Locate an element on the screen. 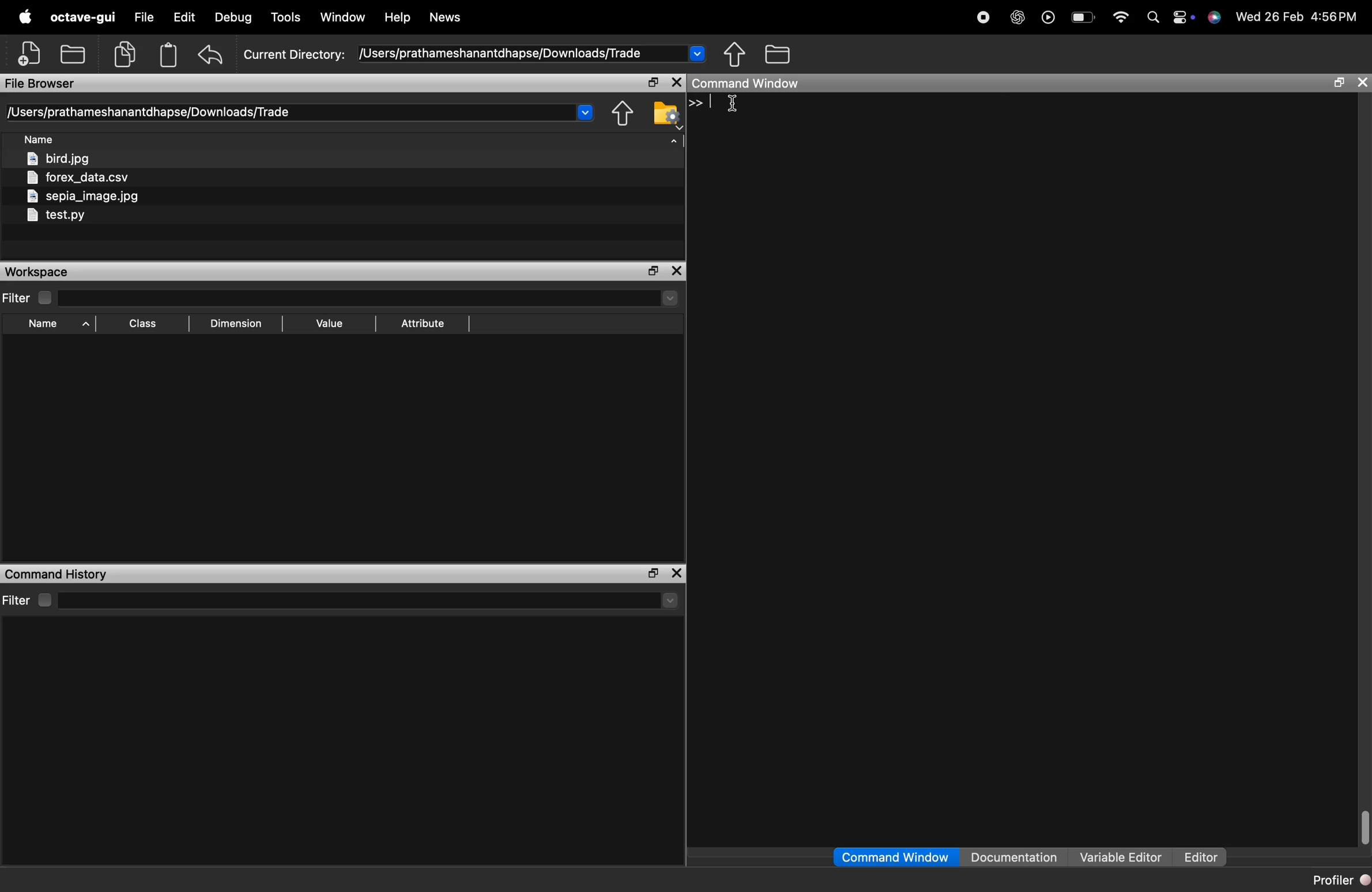 The width and height of the screenshot is (1372, 892). stop recording is located at coordinates (986, 16).